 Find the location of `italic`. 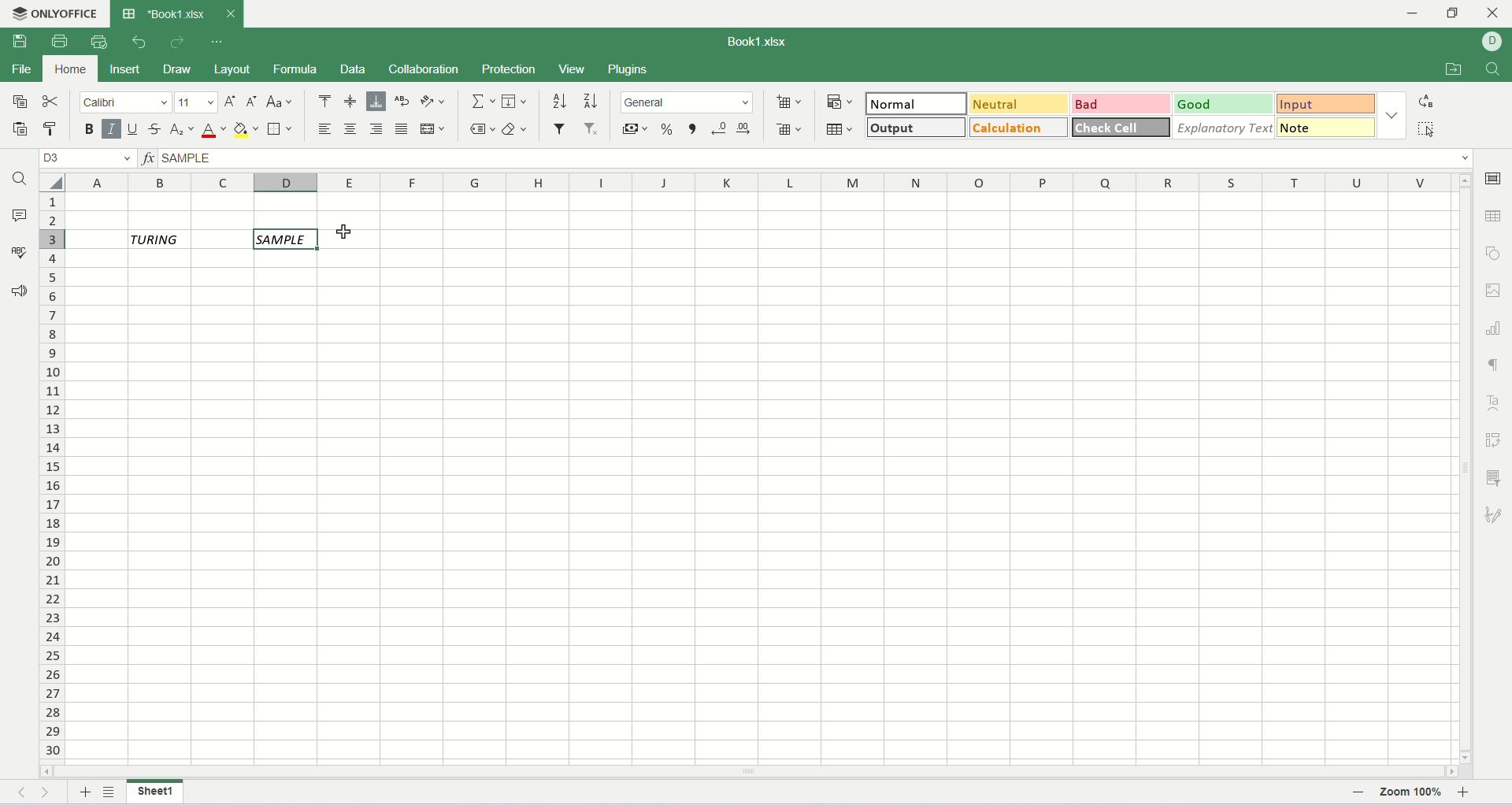

italic is located at coordinates (112, 130).